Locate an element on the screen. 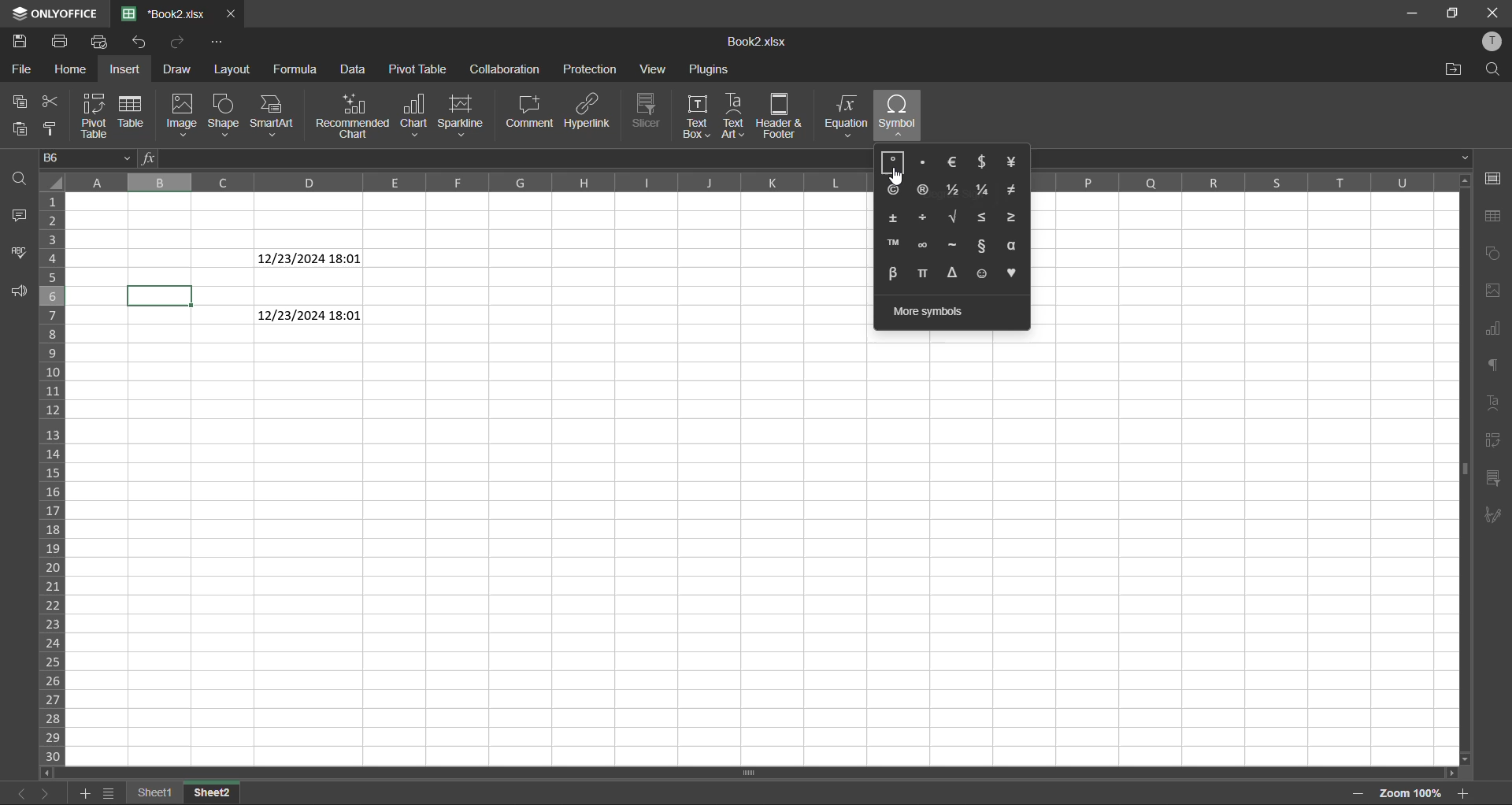 This screenshot has width=1512, height=805. yen sign is located at coordinates (1014, 162).